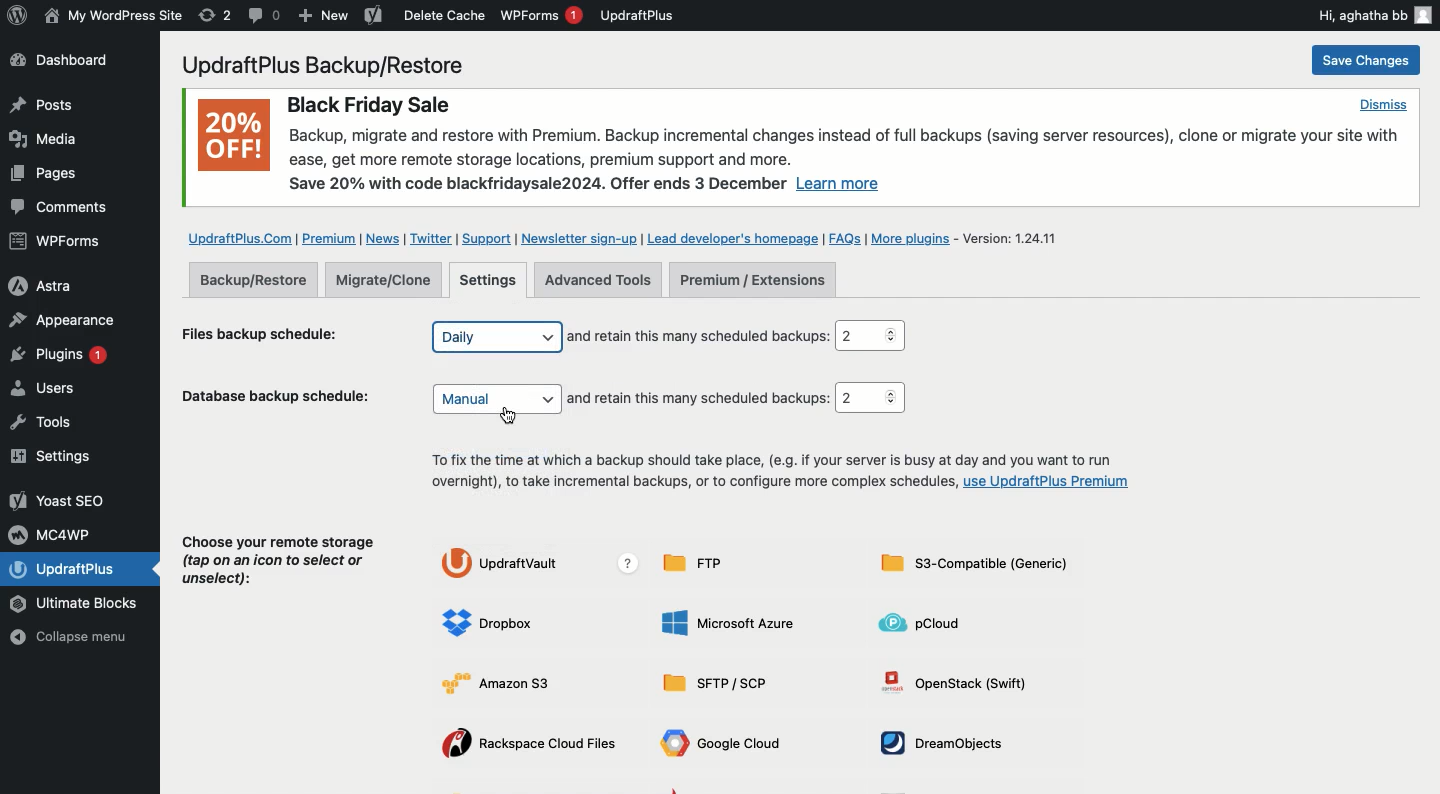 The width and height of the screenshot is (1440, 794). Describe the element at coordinates (869, 398) in the screenshot. I see `2` at that location.